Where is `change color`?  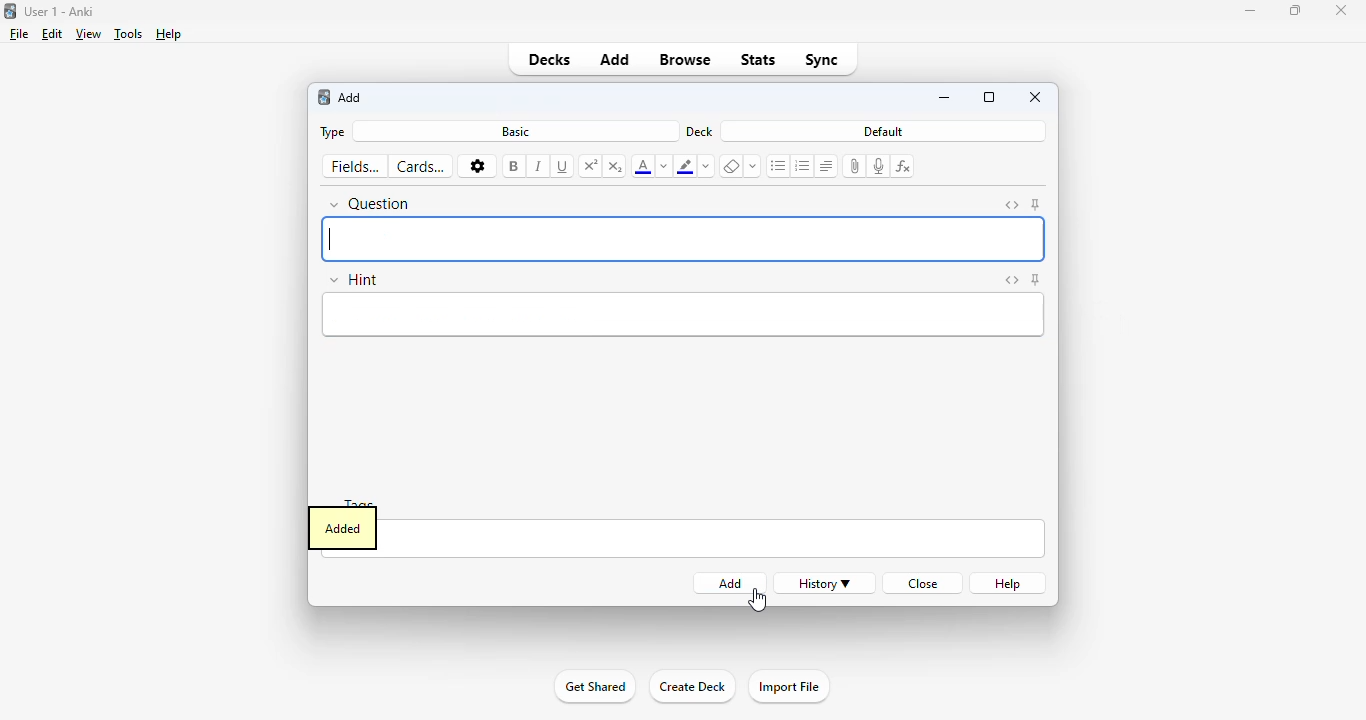 change color is located at coordinates (664, 167).